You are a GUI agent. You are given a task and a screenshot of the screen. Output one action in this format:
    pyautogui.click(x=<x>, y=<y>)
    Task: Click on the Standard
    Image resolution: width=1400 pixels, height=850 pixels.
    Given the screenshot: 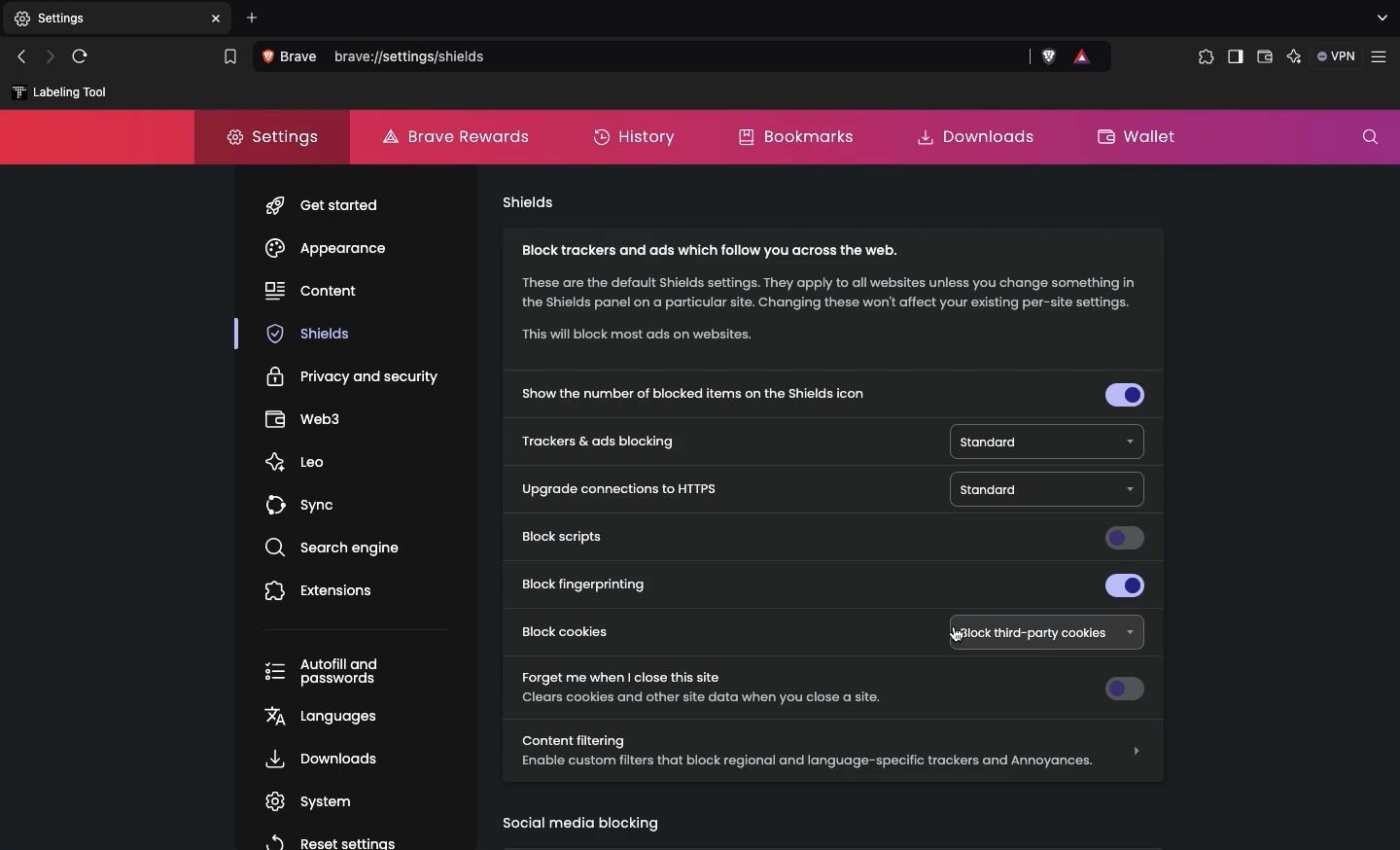 What is the action you would take?
    pyautogui.click(x=1045, y=489)
    